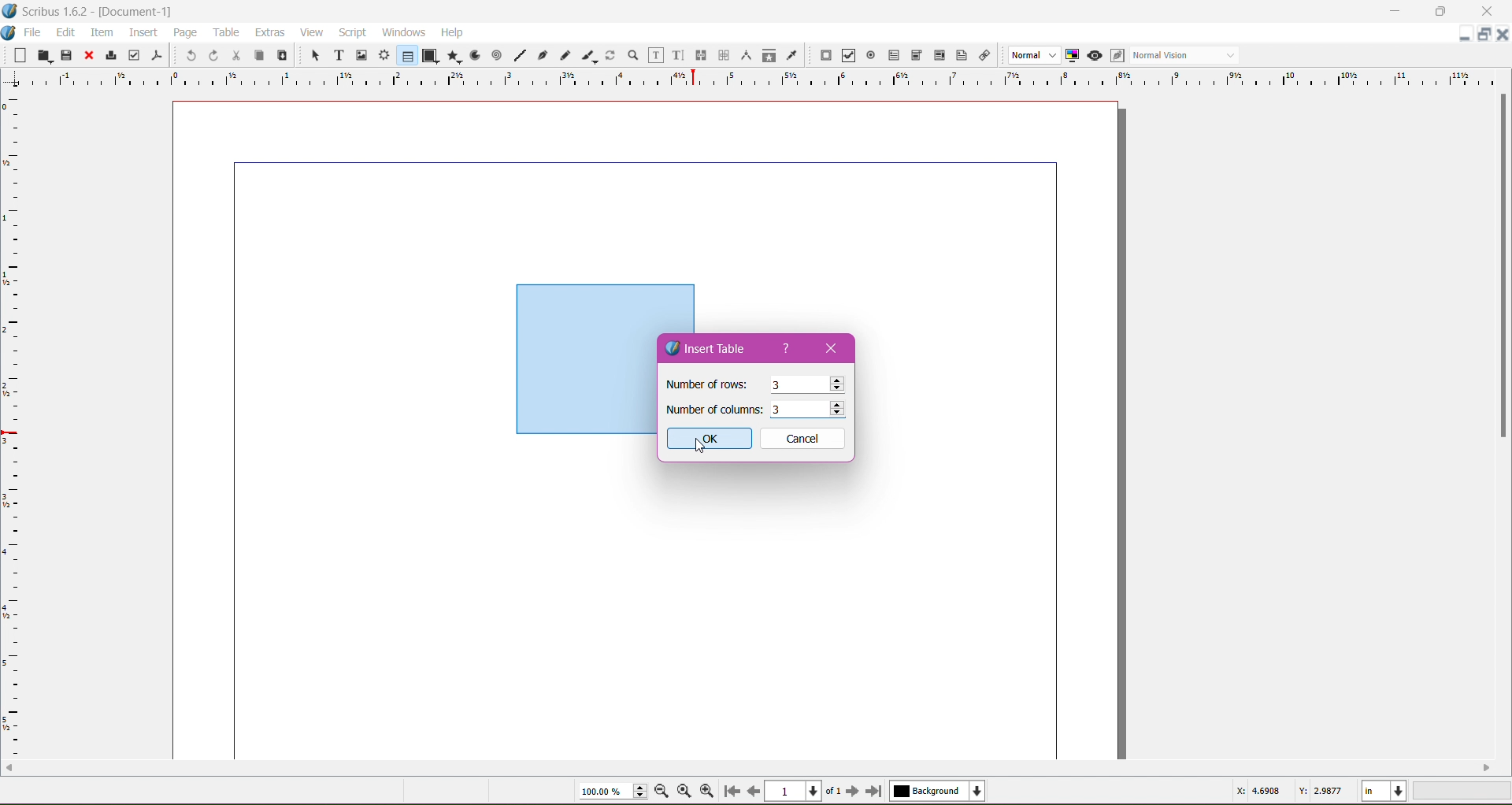  I want to click on Edit, so click(67, 32).